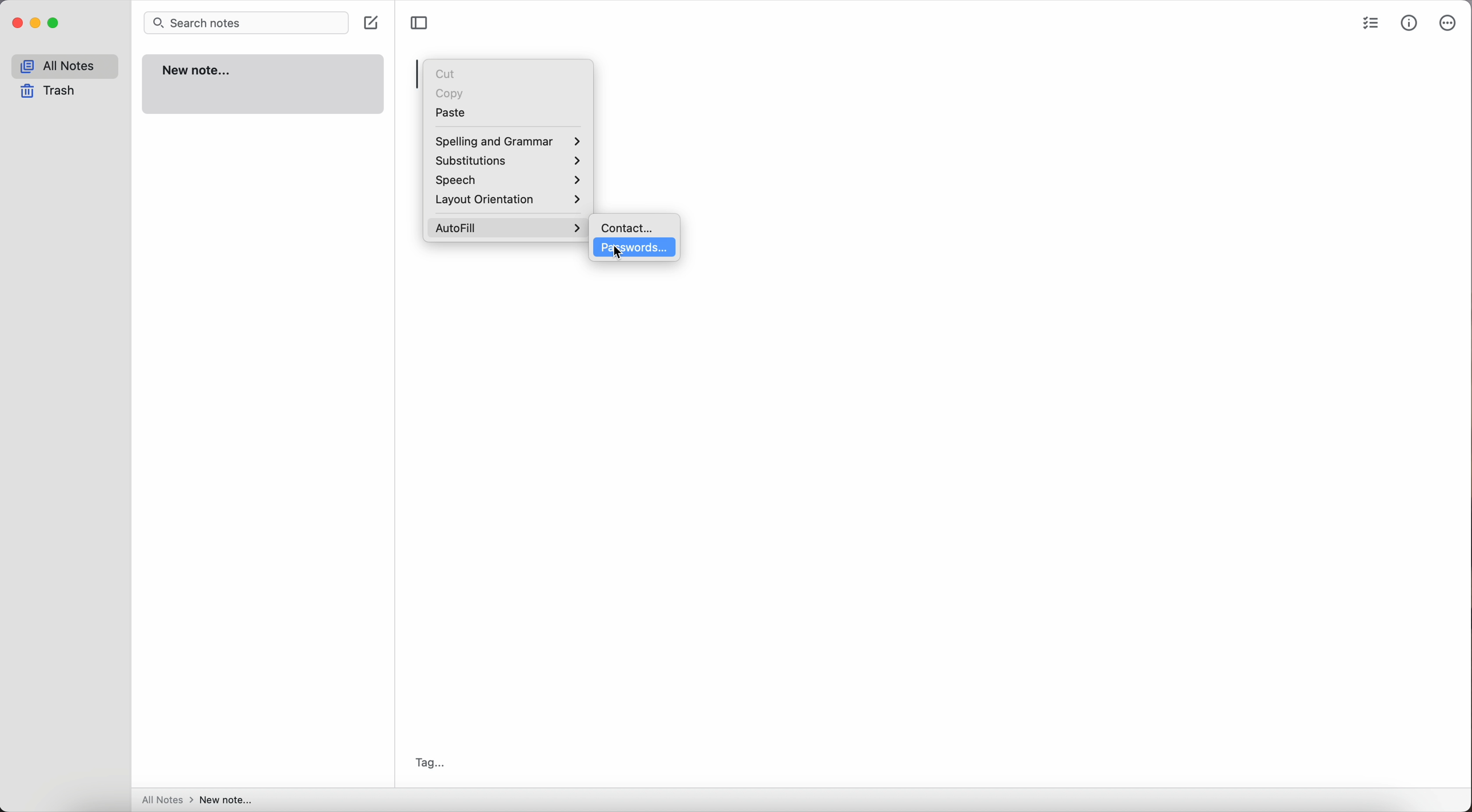  I want to click on close Simplenote, so click(17, 23).